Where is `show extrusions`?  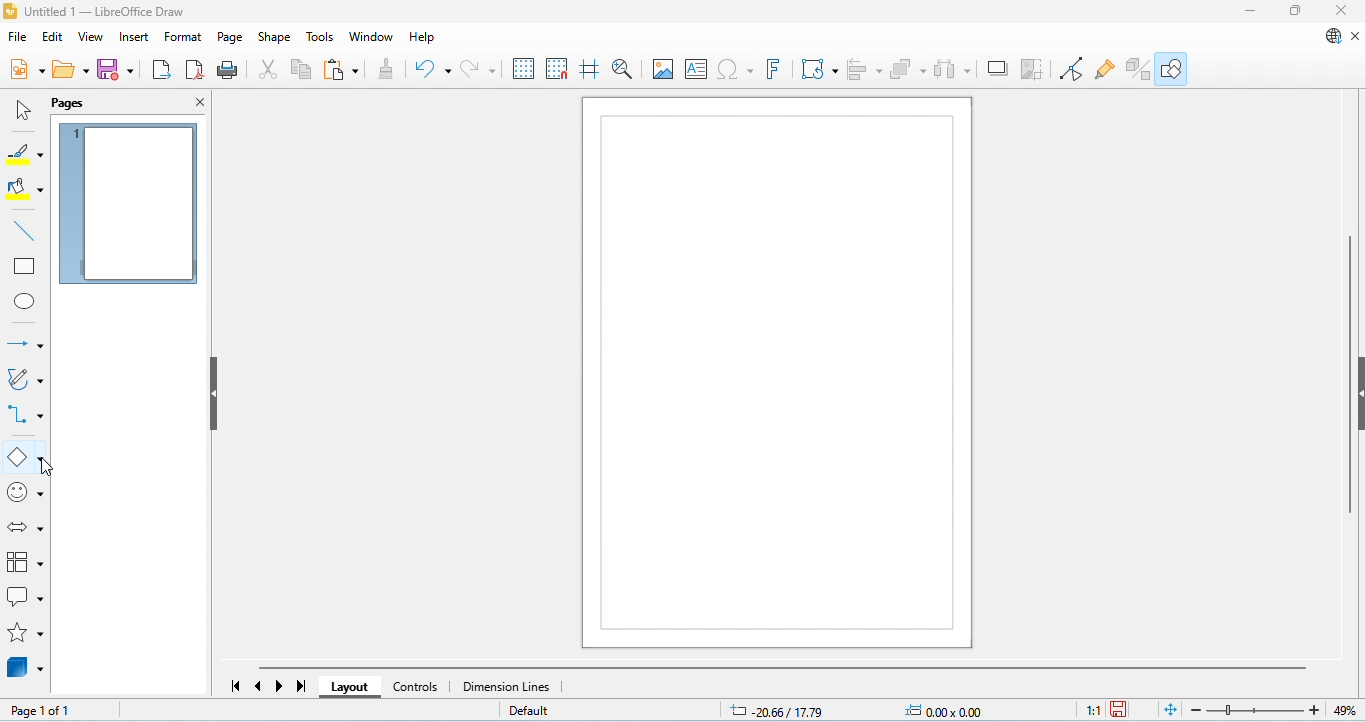 show extrusions is located at coordinates (1138, 70).